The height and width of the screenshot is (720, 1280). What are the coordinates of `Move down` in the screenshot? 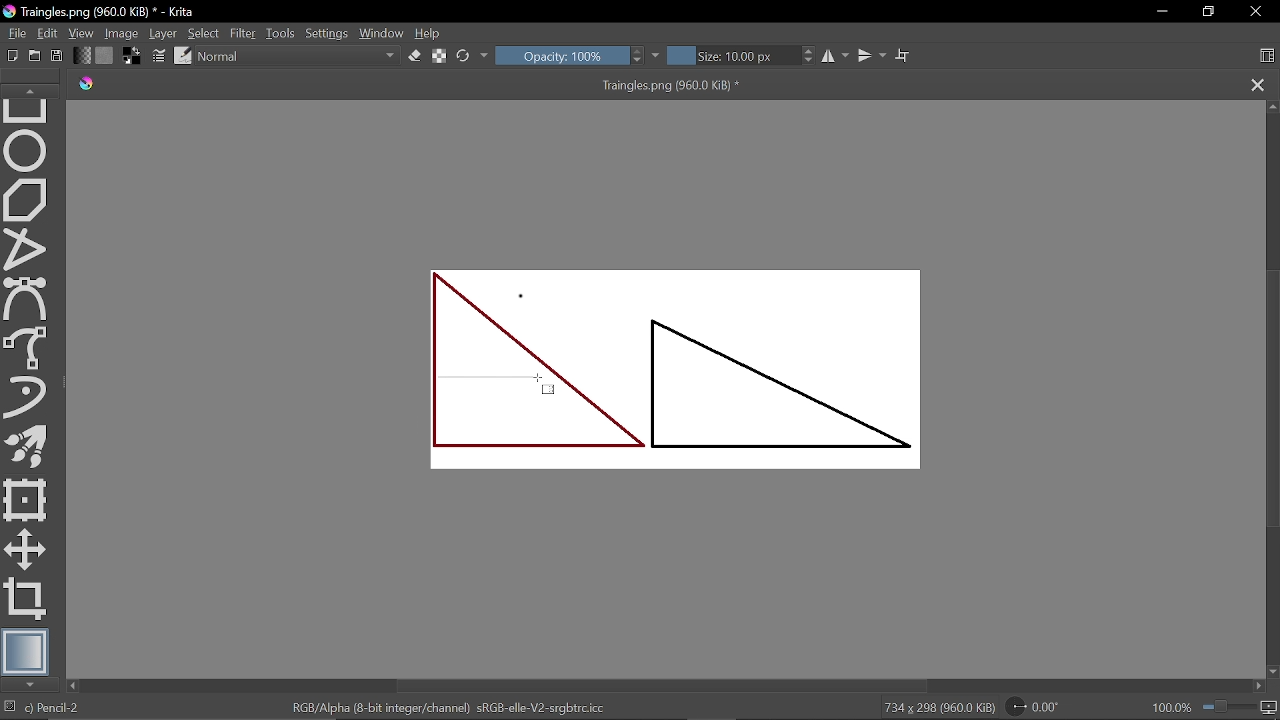 It's located at (1271, 669).